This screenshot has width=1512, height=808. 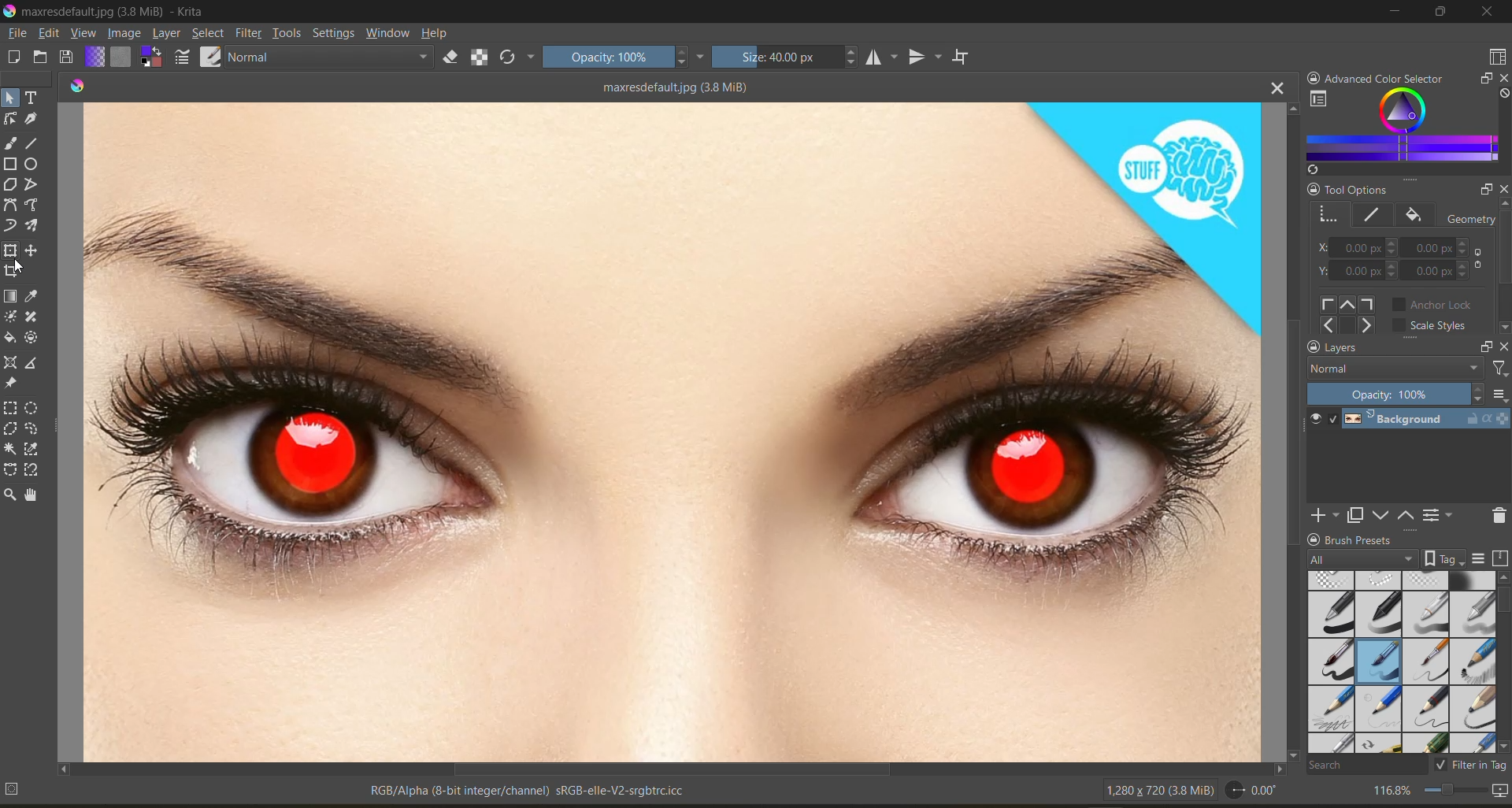 I want to click on Brush Presets, so click(x=1392, y=539).